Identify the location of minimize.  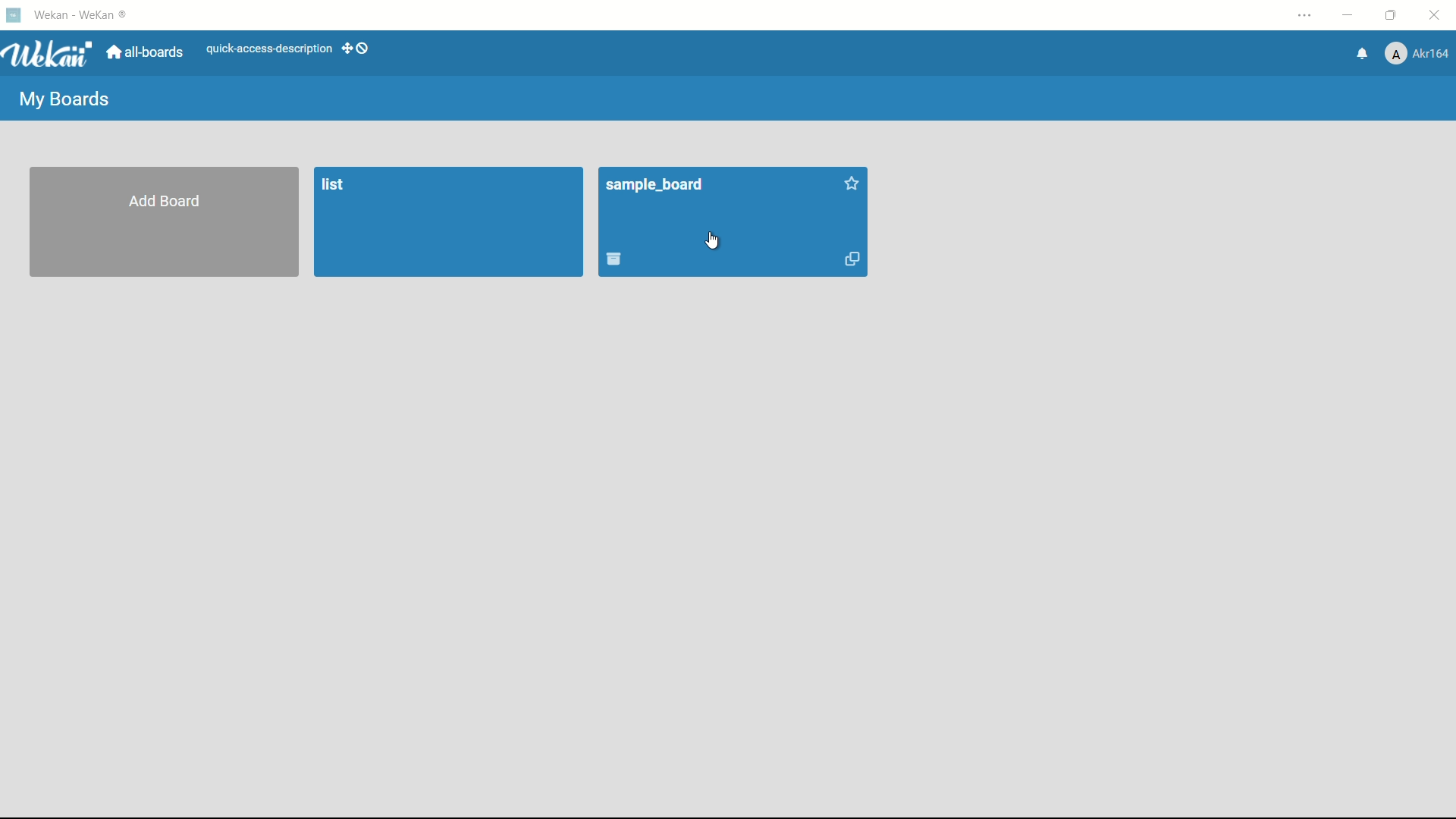
(1351, 16).